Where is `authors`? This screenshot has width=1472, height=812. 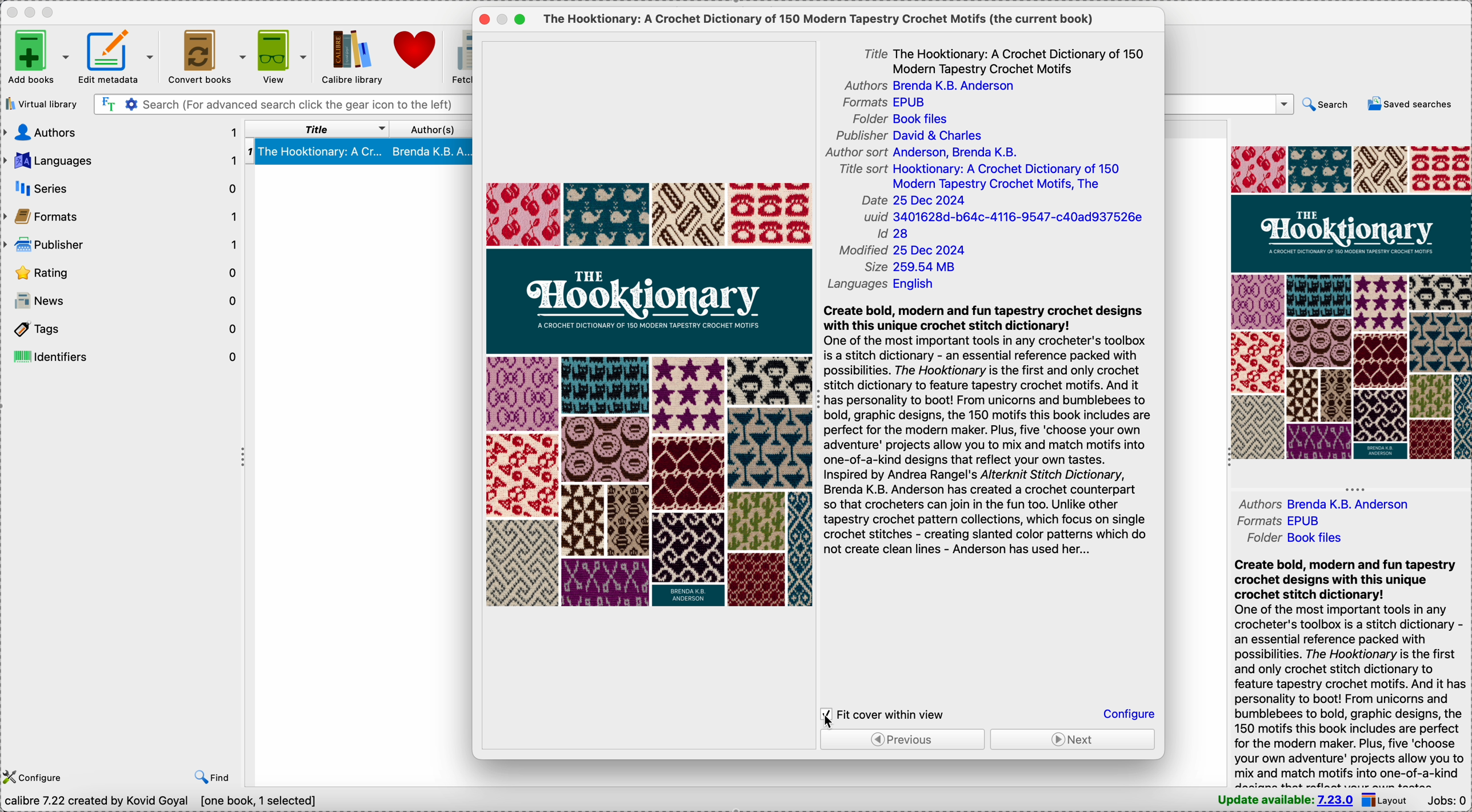 authors is located at coordinates (930, 87).